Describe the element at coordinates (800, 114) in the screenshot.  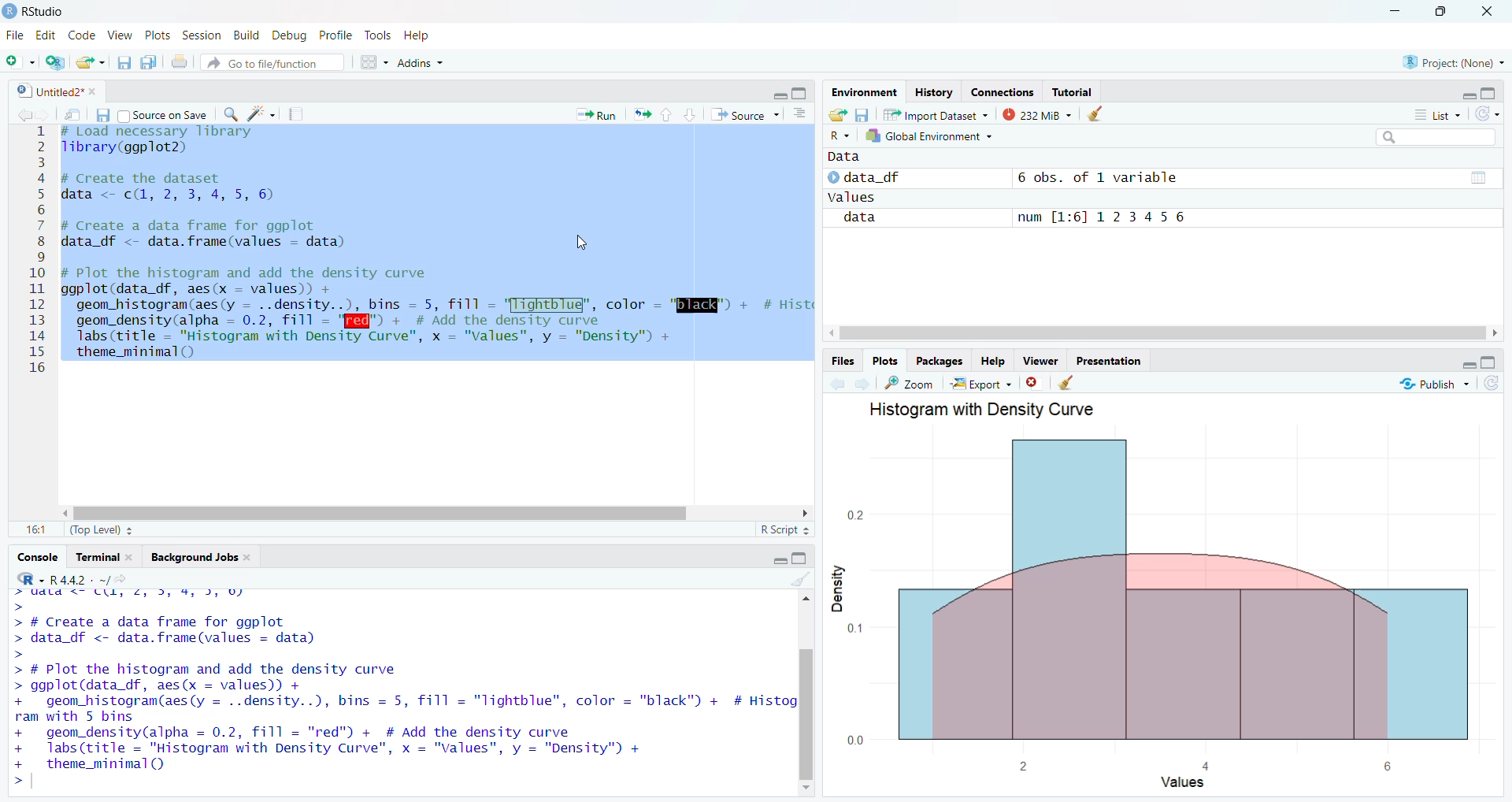
I see `show document outline` at that location.